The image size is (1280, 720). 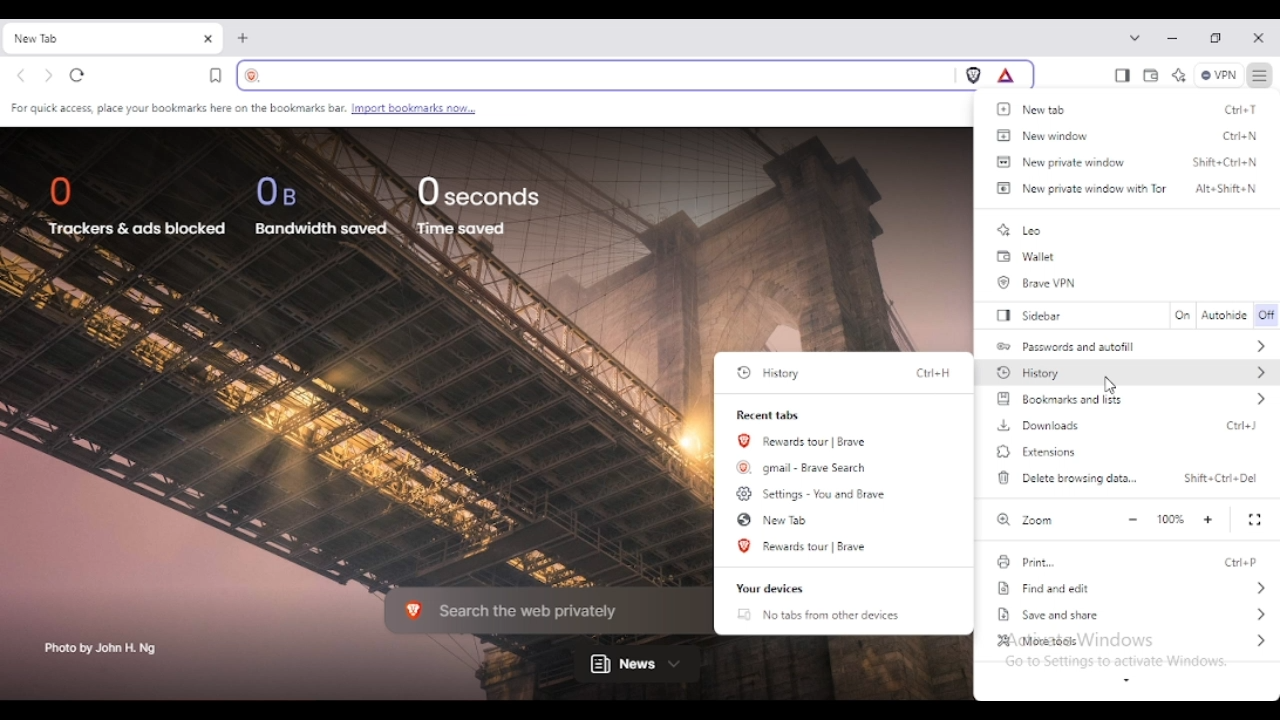 What do you see at coordinates (1133, 345) in the screenshot?
I see `passwords and autofill` at bounding box center [1133, 345].